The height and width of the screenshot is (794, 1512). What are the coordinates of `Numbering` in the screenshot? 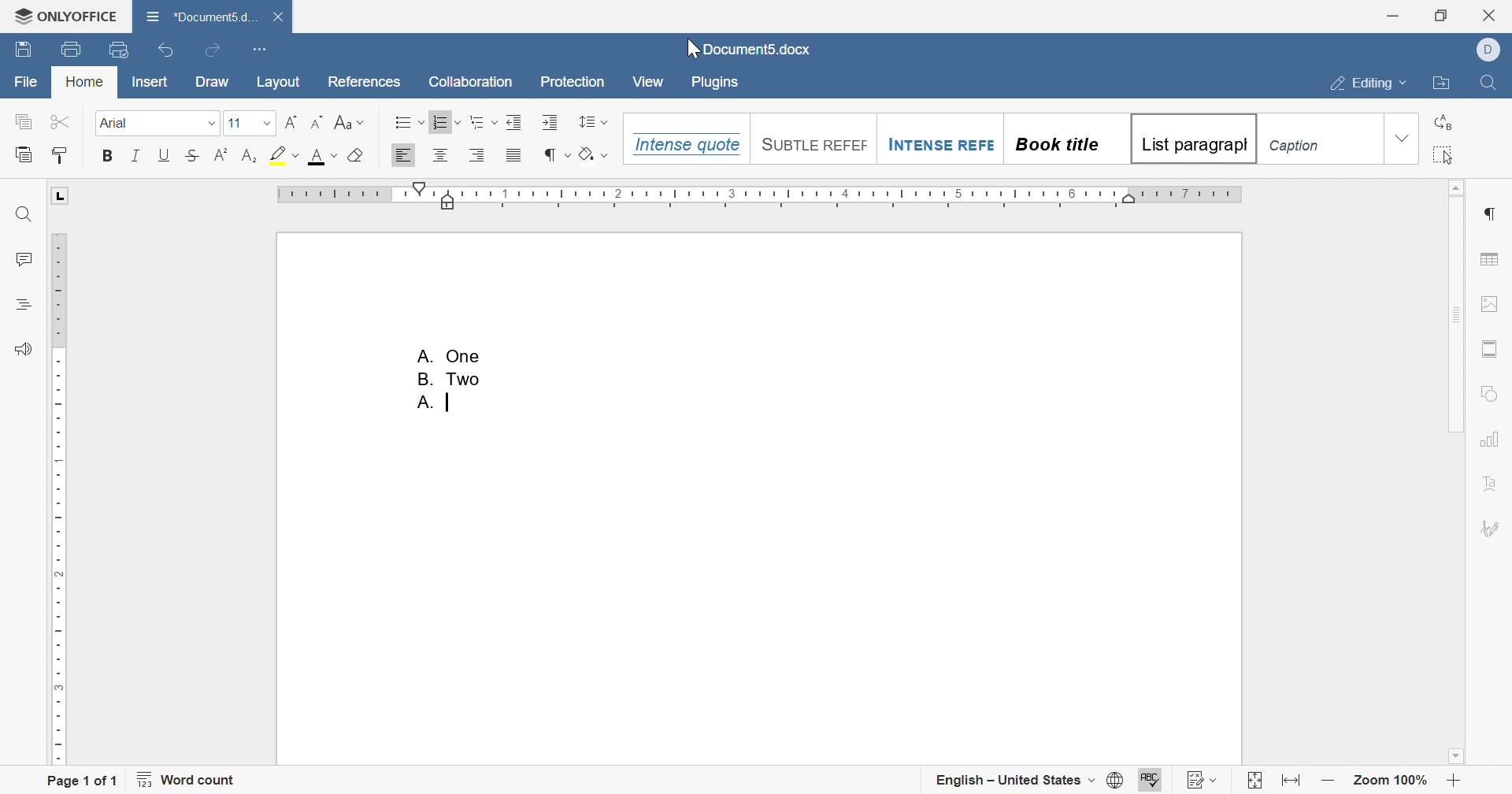 It's located at (447, 121).